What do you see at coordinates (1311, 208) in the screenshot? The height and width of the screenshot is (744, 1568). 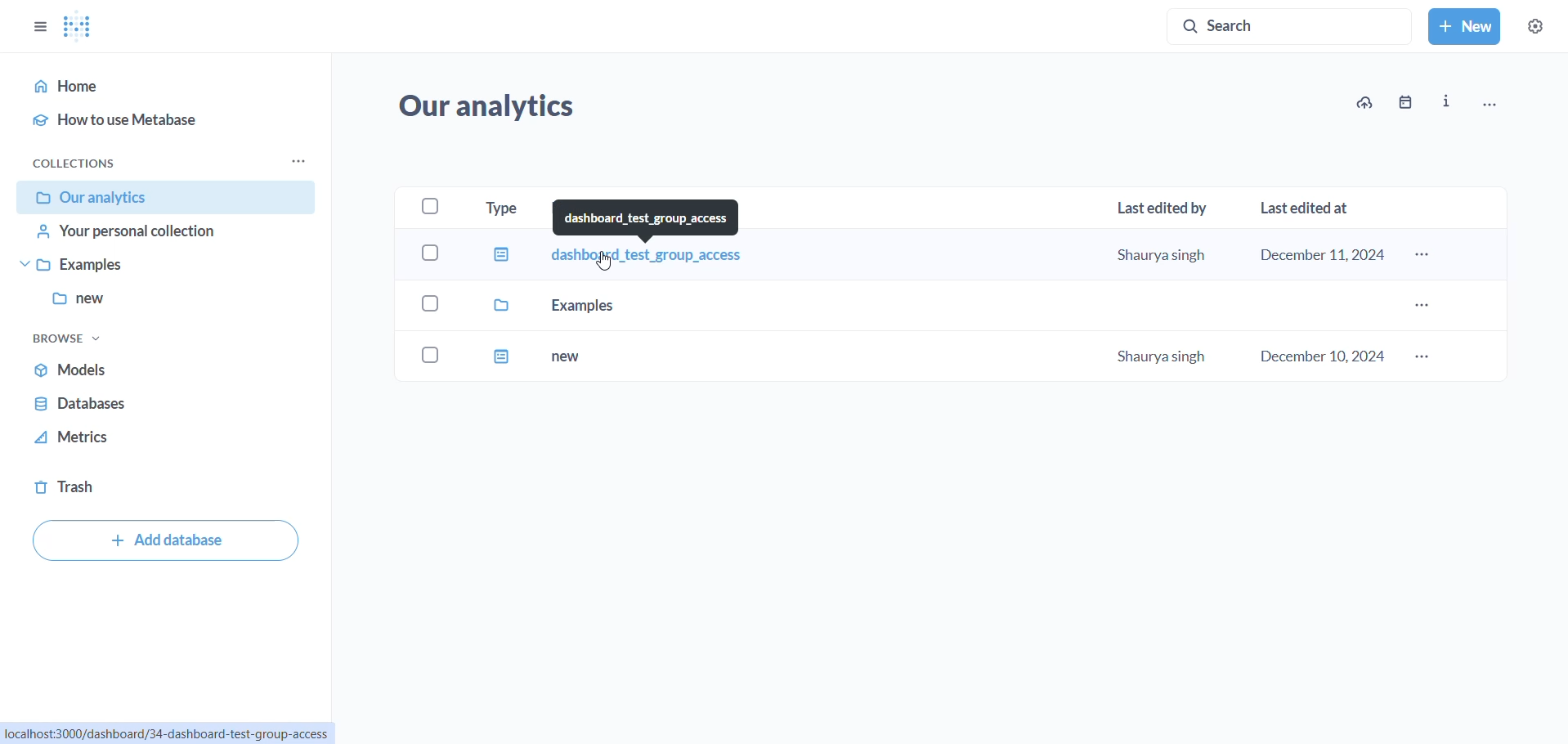 I see `last edited at ` at bounding box center [1311, 208].